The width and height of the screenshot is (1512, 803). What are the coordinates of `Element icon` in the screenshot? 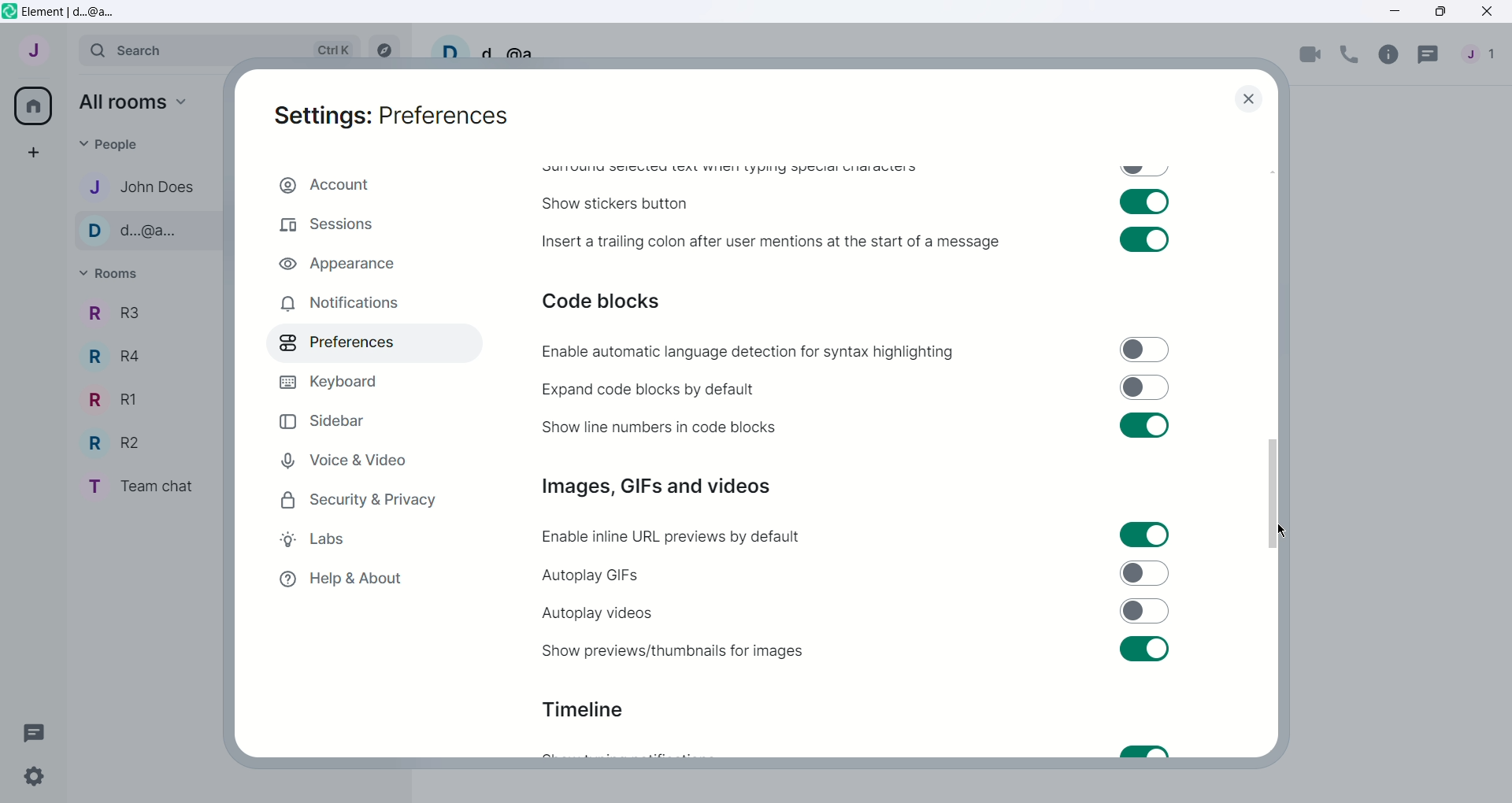 It's located at (9, 11).